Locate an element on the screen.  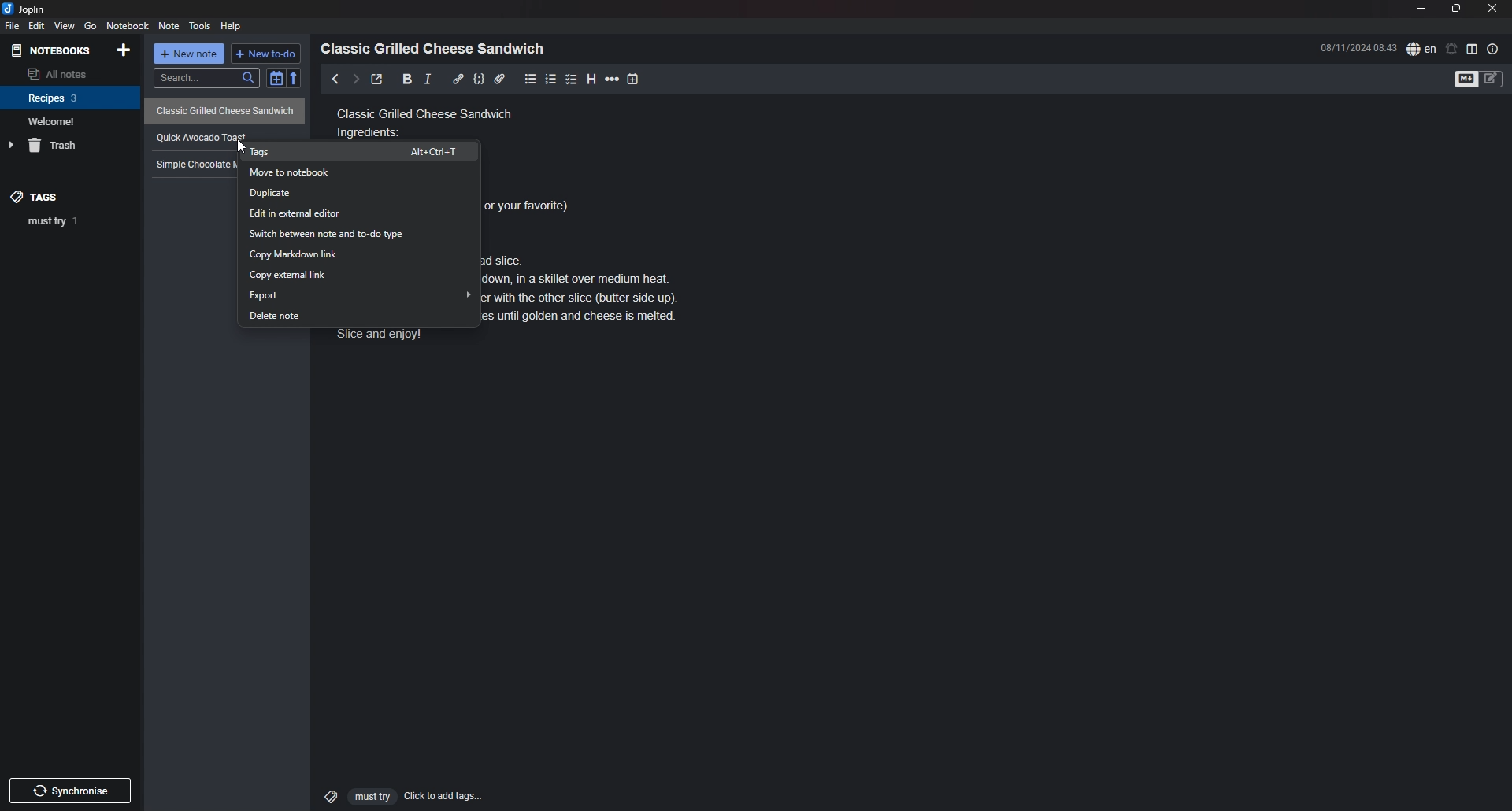
next is located at coordinates (354, 79).